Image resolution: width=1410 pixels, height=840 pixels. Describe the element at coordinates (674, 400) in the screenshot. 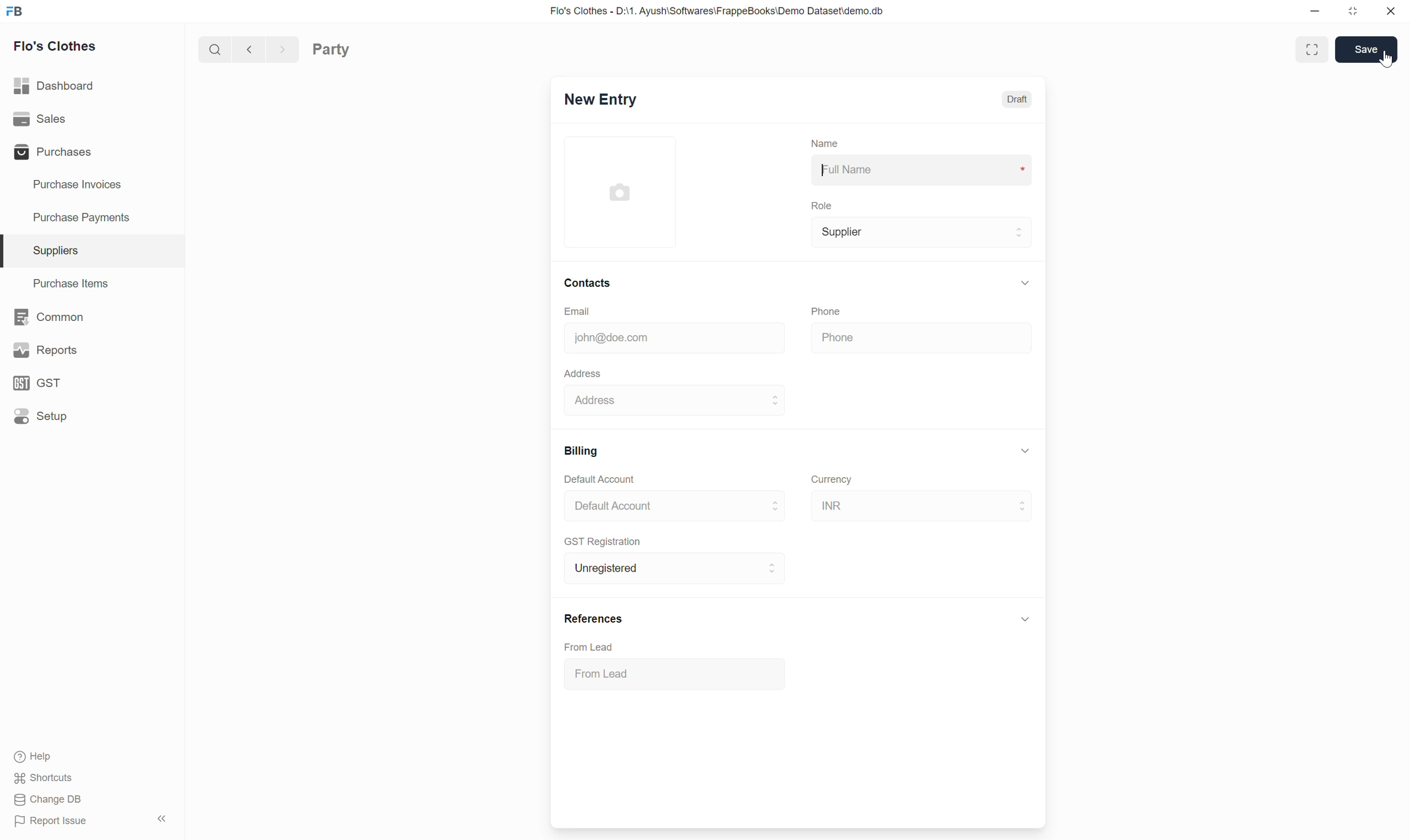

I see `Address` at that location.